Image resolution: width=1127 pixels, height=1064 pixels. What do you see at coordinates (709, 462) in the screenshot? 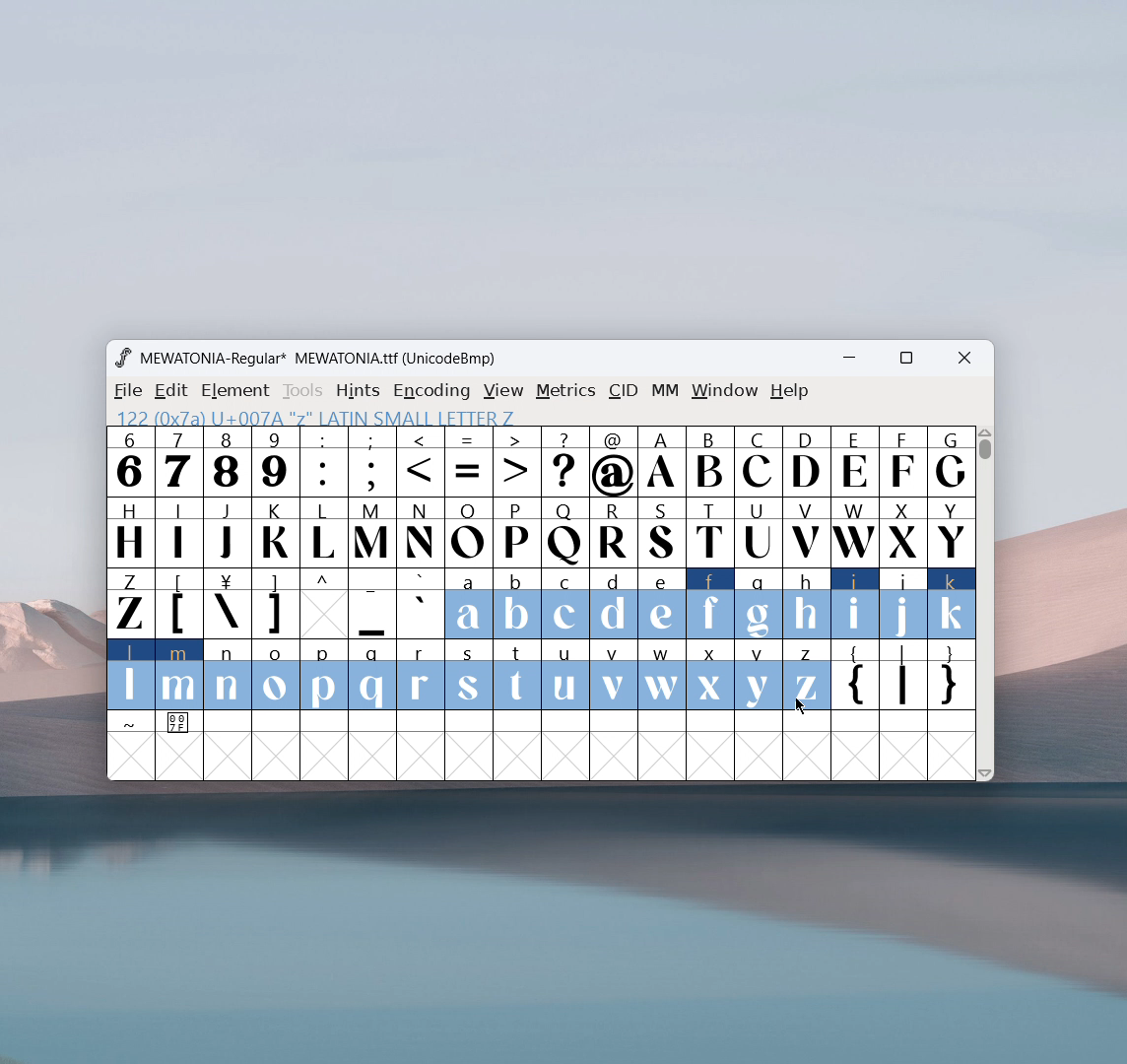
I see `B` at bounding box center [709, 462].